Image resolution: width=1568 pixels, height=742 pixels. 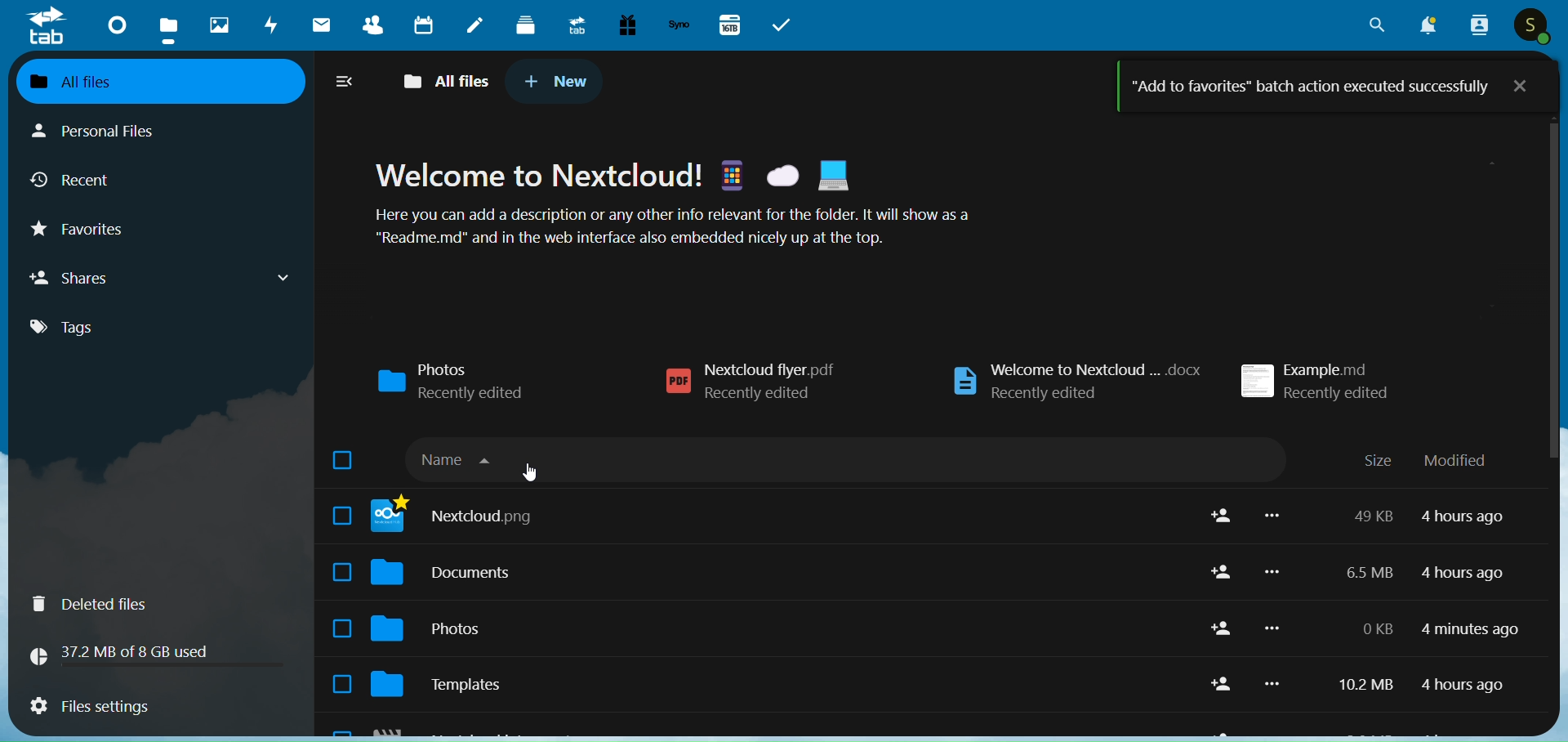 What do you see at coordinates (1521, 85) in the screenshot?
I see `close notification` at bounding box center [1521, 85].